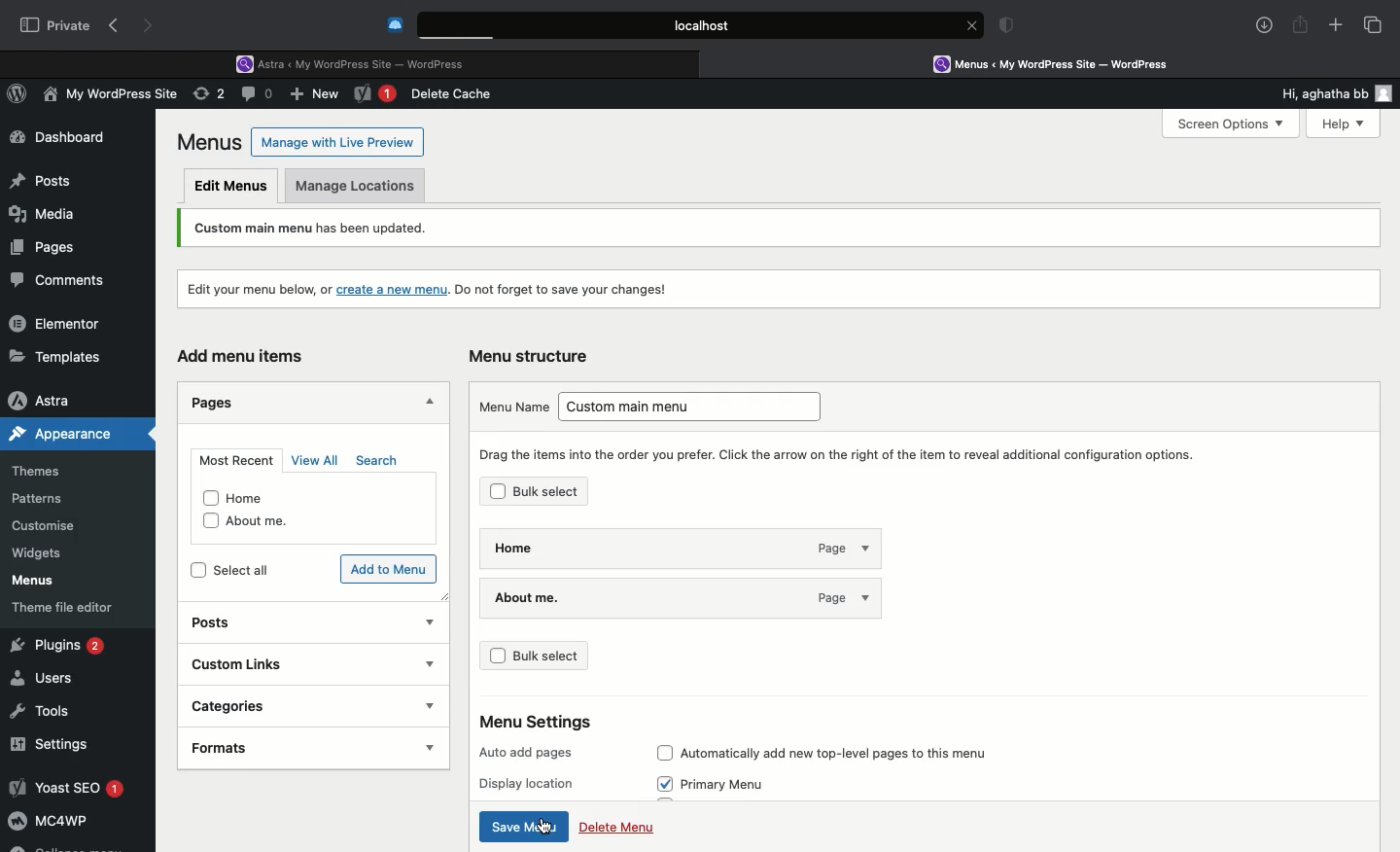 The height and width of the screenshot is (852, 1400). I want to click on Custom main menu has been updated, so click(366, 229).